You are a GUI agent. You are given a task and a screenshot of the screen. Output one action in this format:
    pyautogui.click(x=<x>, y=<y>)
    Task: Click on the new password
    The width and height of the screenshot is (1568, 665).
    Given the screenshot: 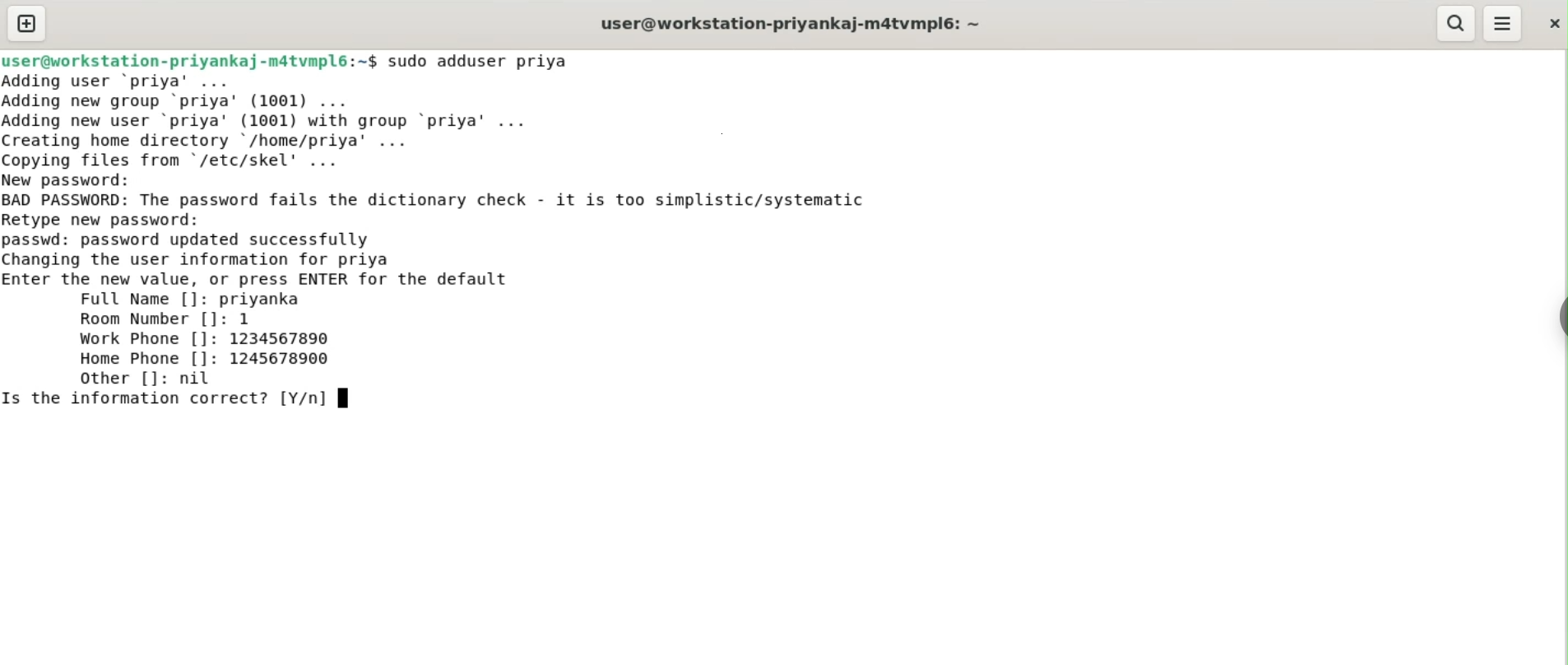 What is the action you would take?
    pyautogui.click(x=79, y=179)
    